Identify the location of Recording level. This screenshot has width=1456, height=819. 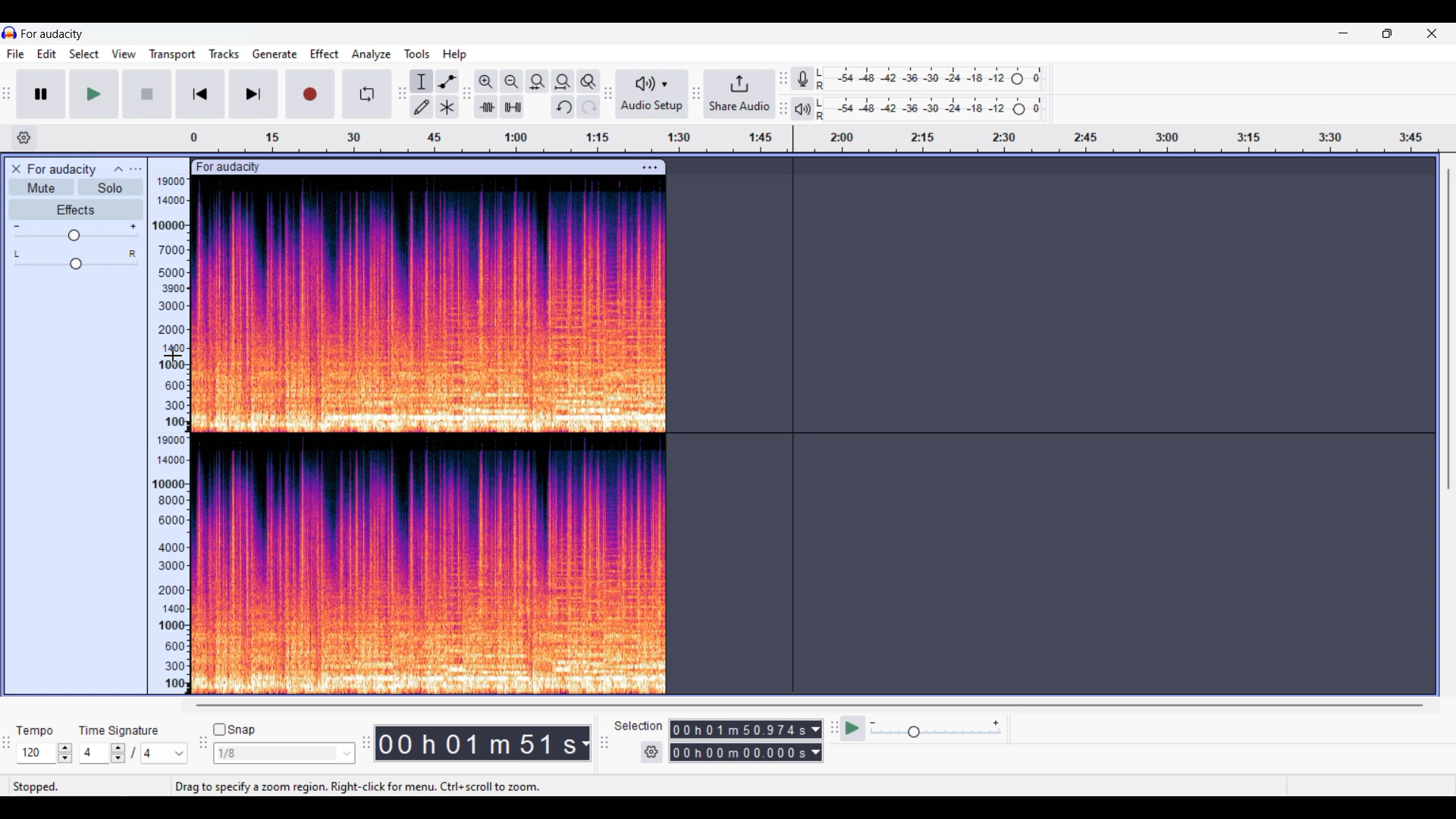
(934, 78).